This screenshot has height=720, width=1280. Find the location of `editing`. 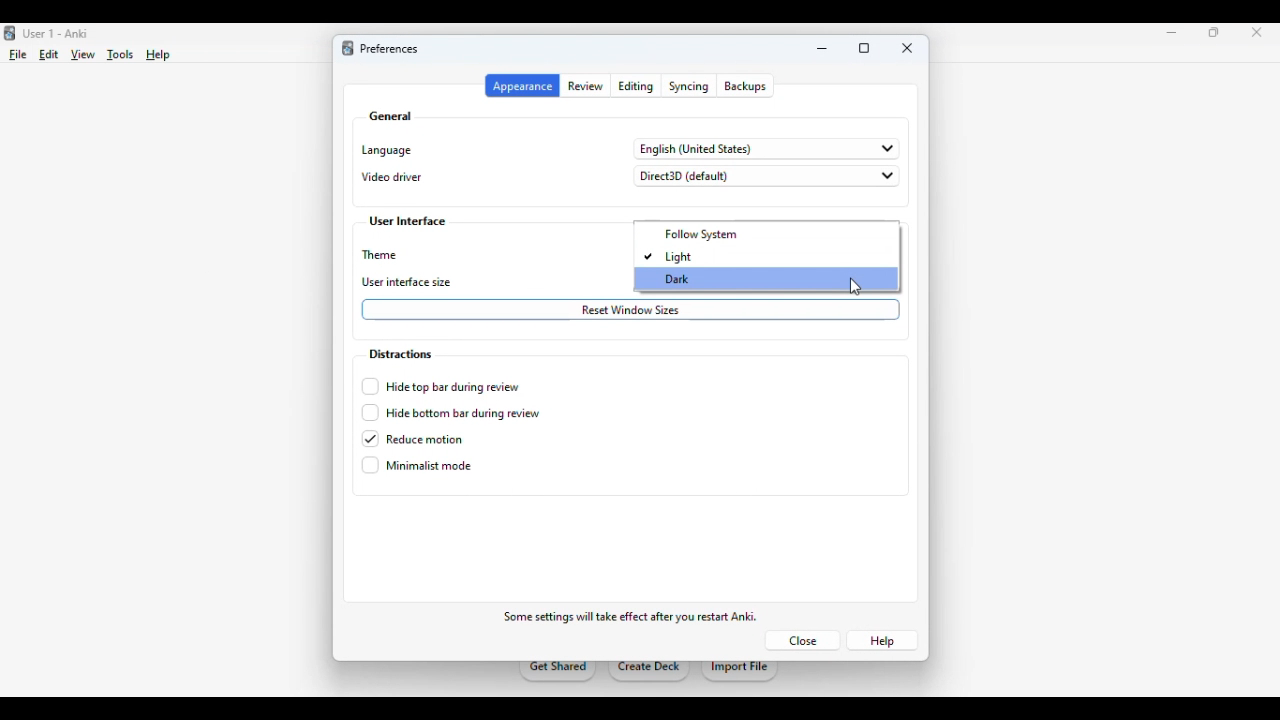

editing is located at coordinates (637, 86).